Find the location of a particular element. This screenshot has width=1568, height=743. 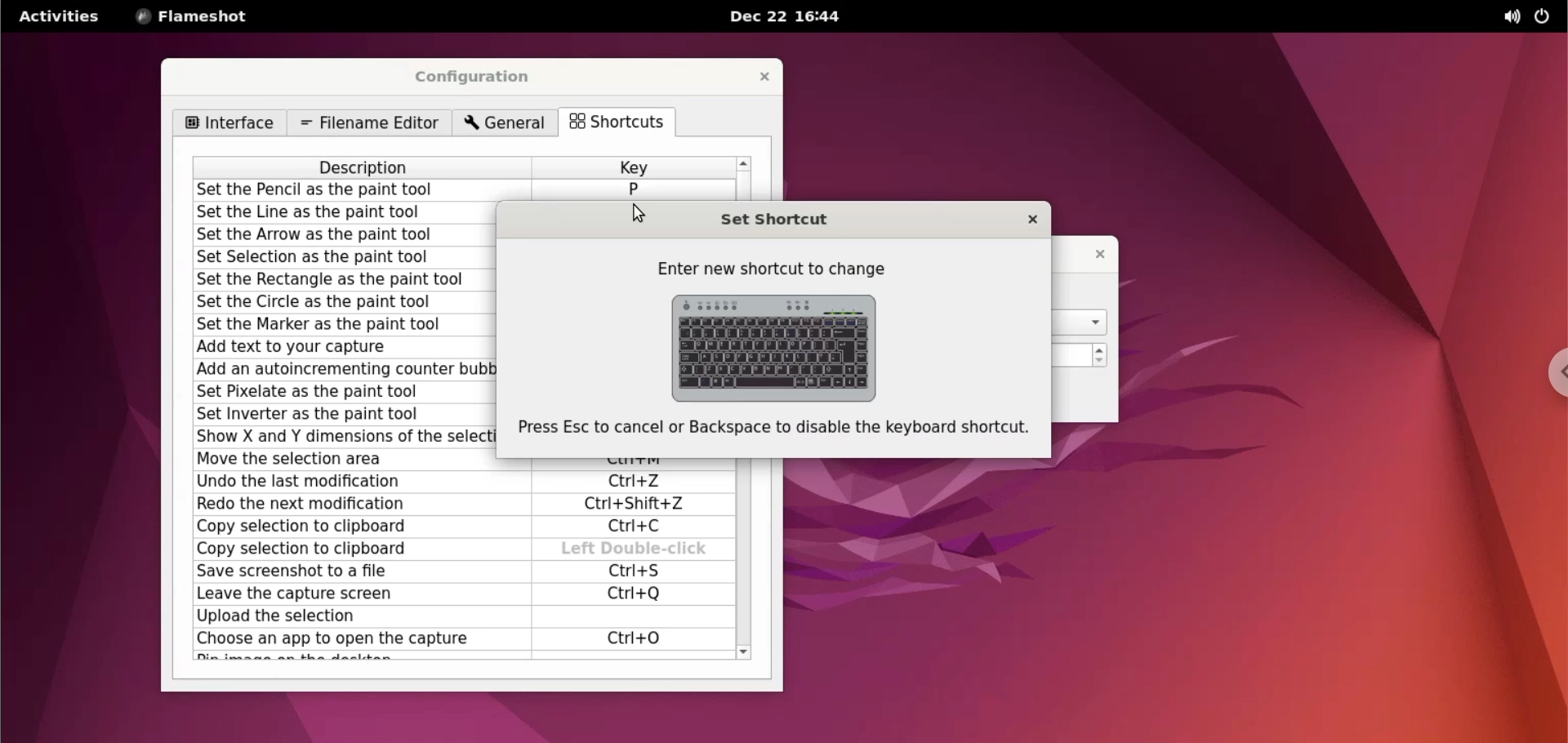

copy selection to clipboard is located at coordinates (362, 549).